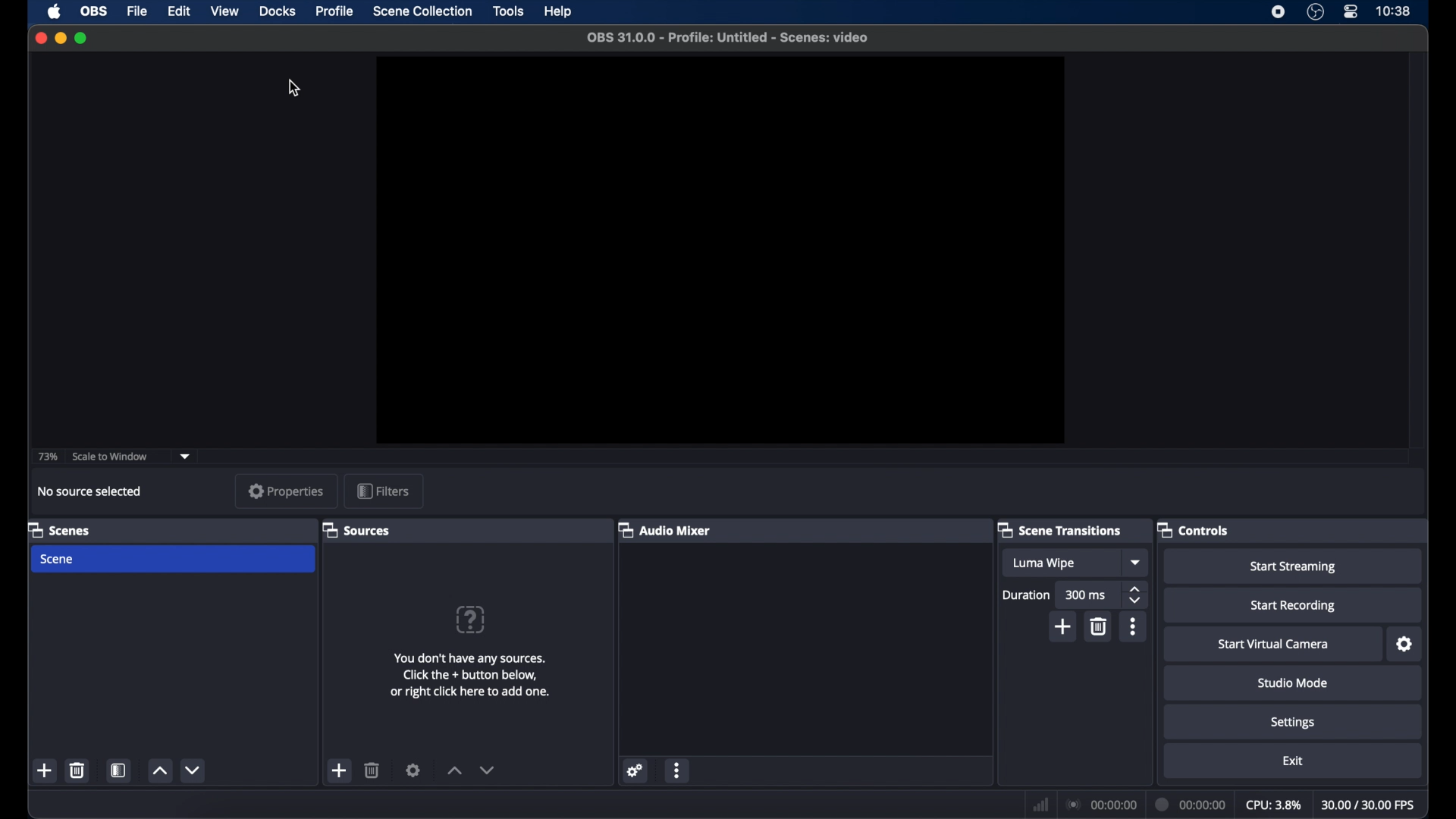  Describe the element at coordinates (415, 770) in the screenshot. I see `sources settings` at that location.